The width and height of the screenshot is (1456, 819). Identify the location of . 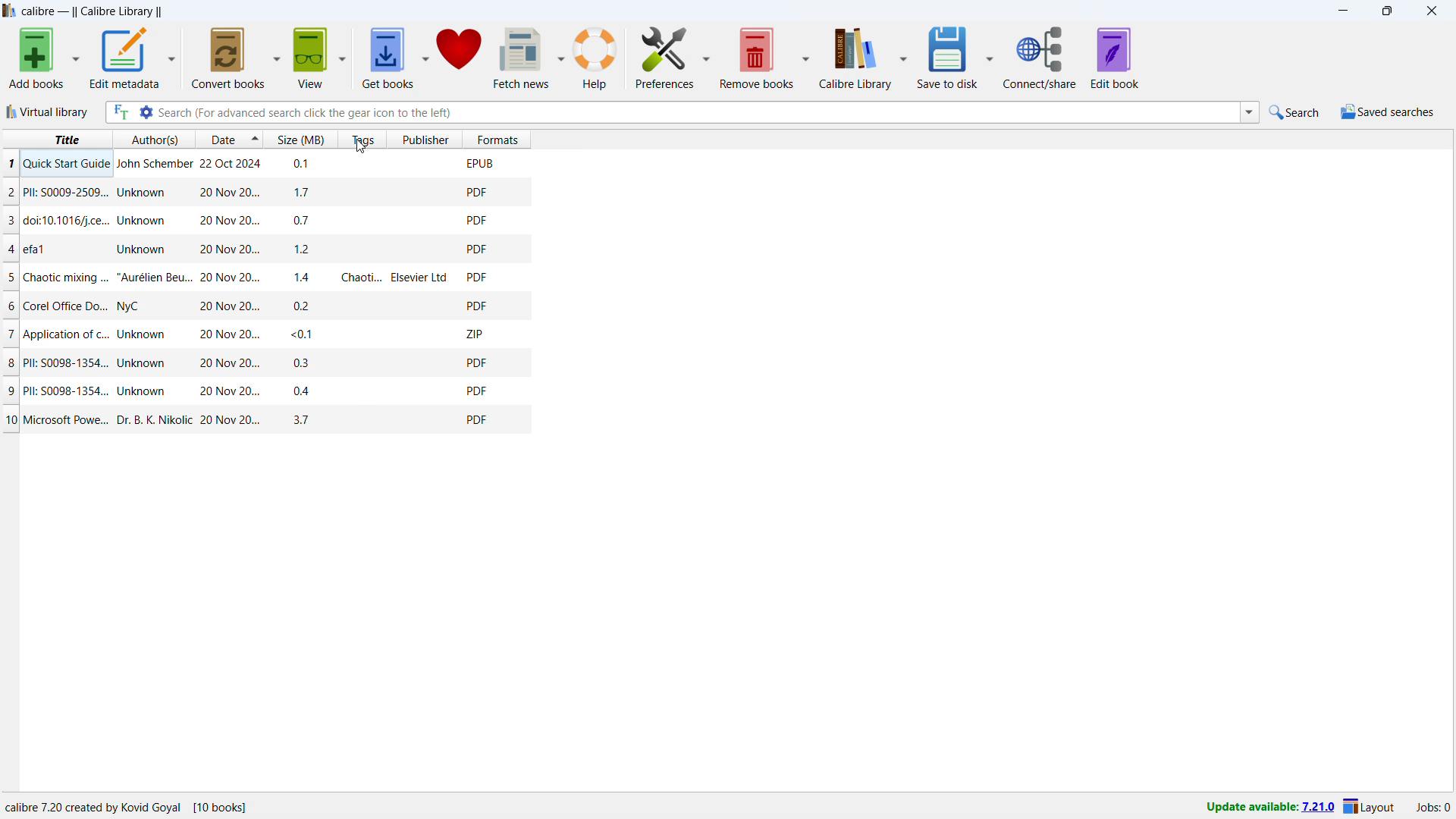
(265, 162).